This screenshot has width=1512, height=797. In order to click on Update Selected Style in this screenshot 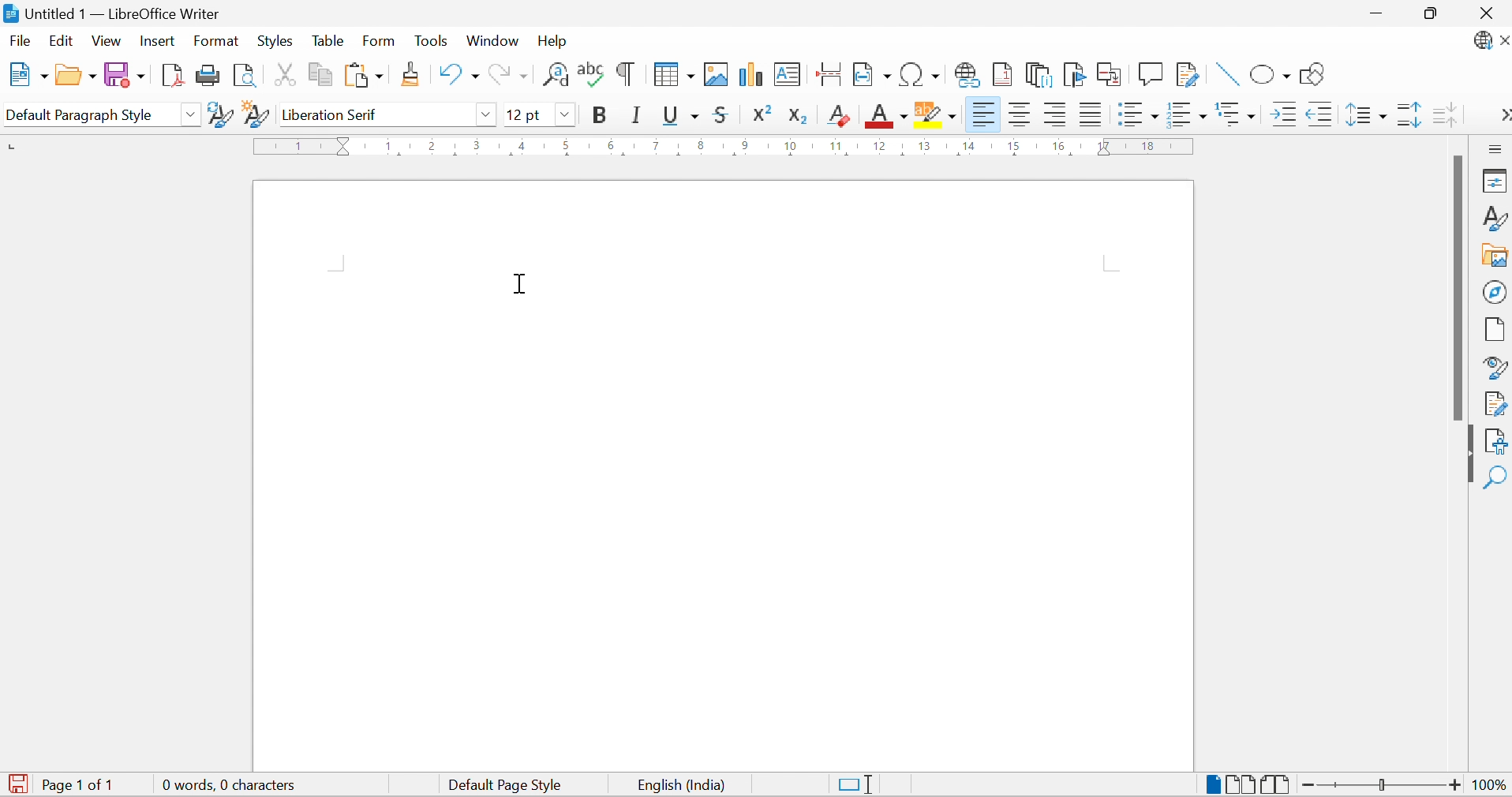, I will do `click(219, 114)`.